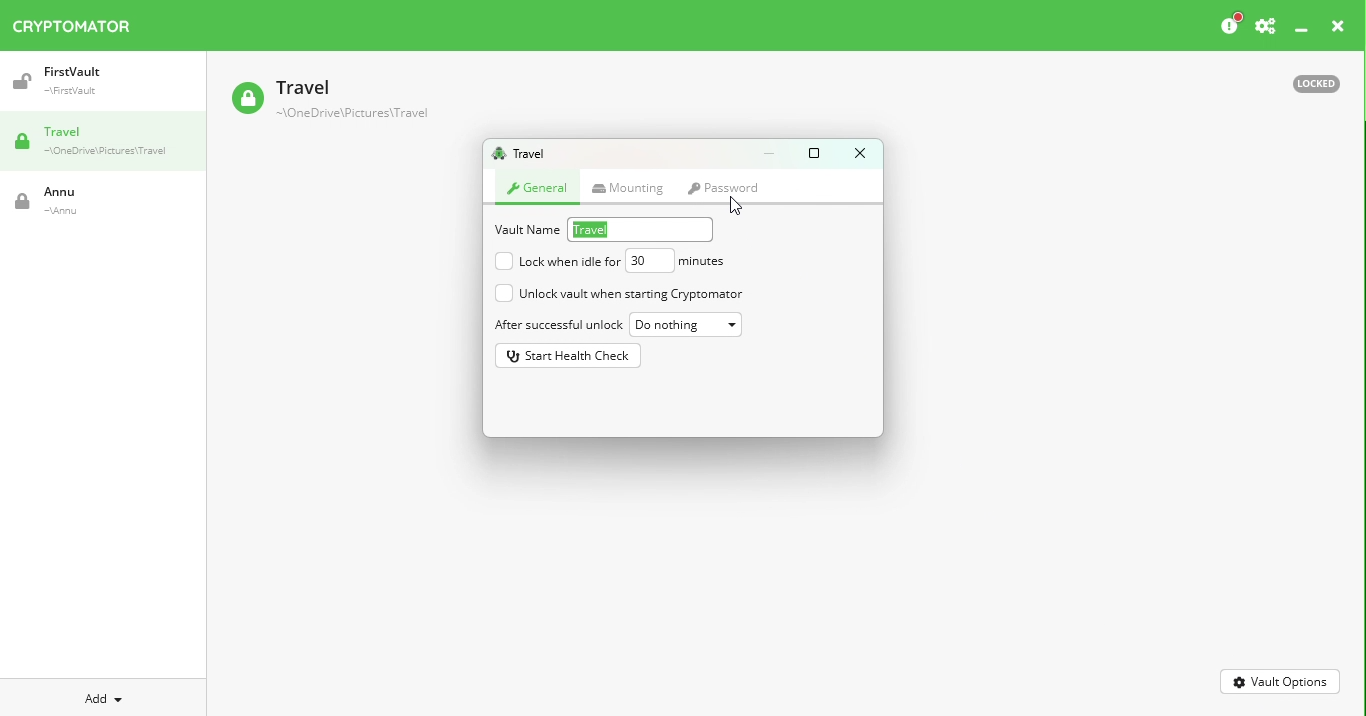 This screenshot has width=1366, height=716. What do you see at coordinates (1307, 82) in the screenshot?
I see `Locked` at bounding box center [1307, 82].